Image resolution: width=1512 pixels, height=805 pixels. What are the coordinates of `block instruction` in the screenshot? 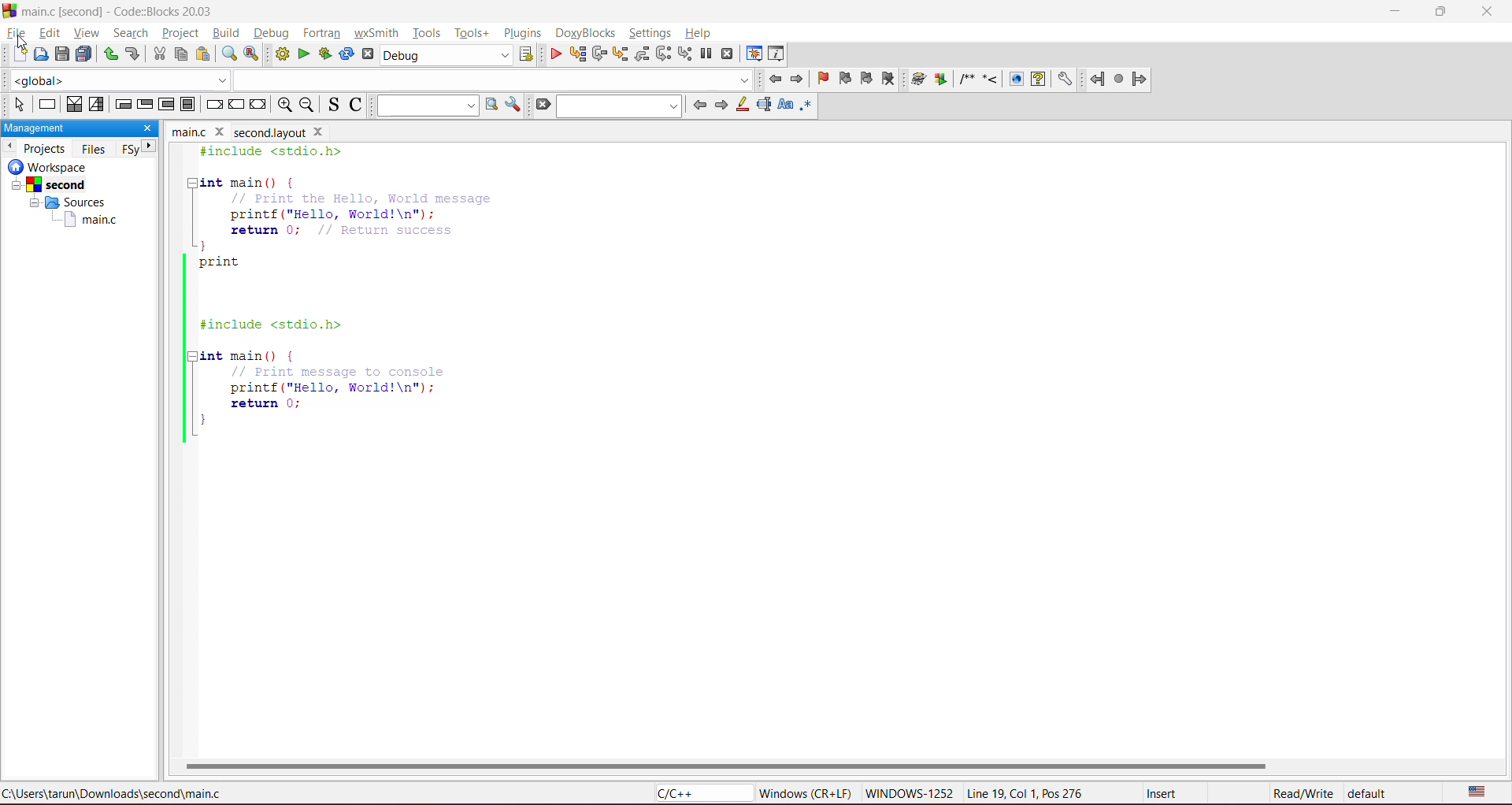 It's located at (189, 106).